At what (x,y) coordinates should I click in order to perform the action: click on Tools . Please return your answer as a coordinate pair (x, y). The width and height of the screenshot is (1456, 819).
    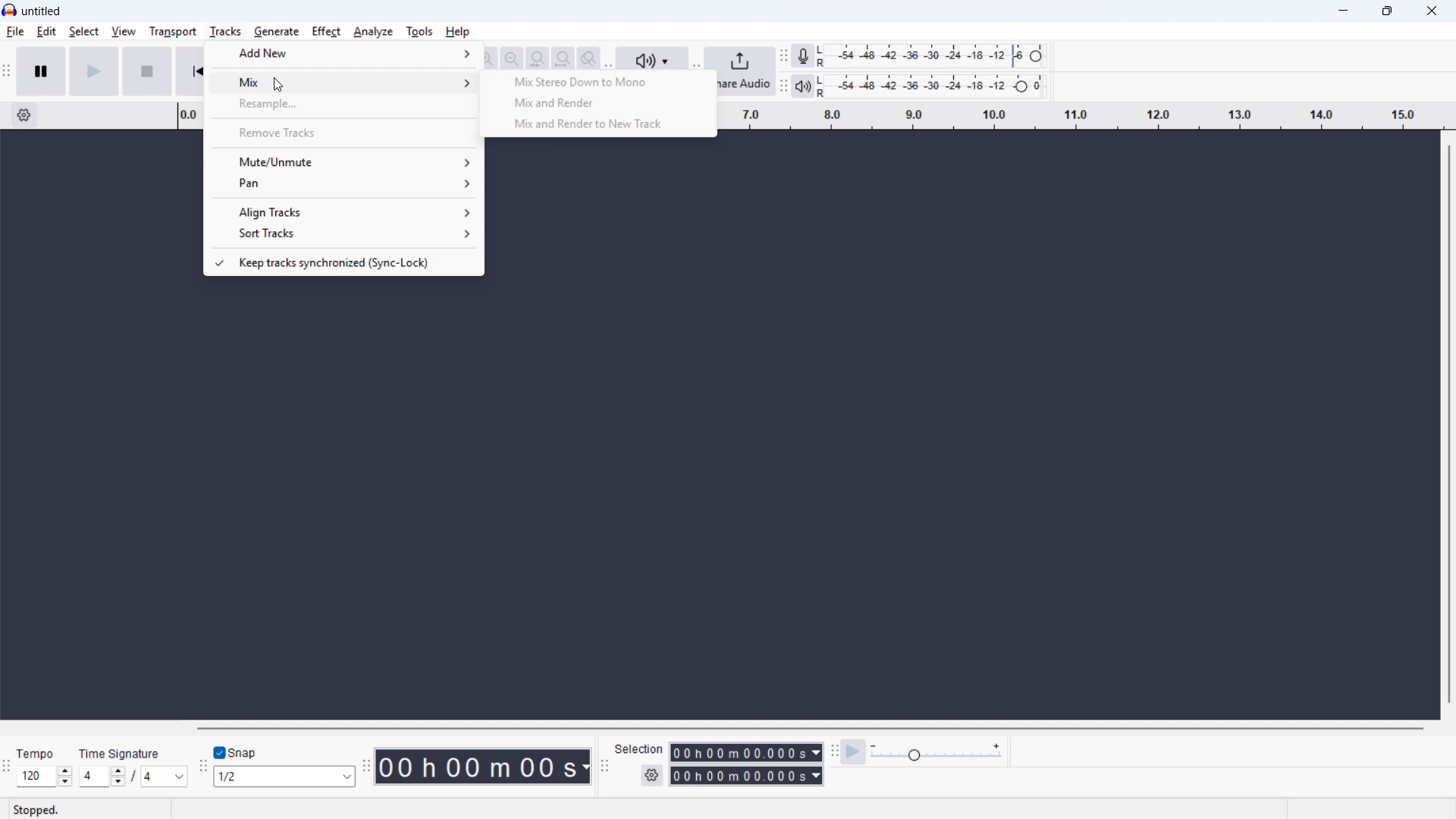
    Looking at the image, I should click on (419, 31).